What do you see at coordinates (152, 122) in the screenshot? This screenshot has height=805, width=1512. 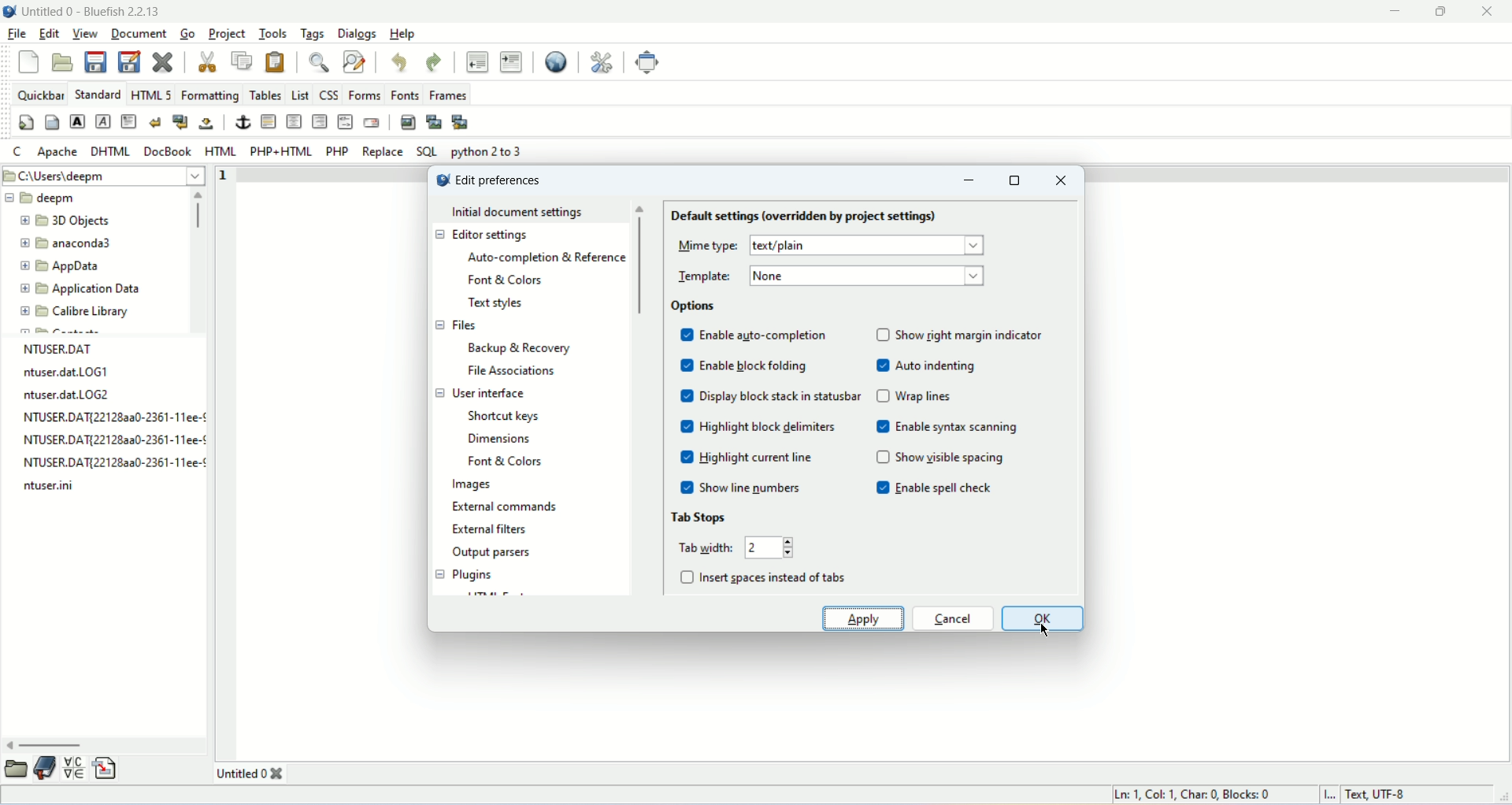 I see `break` at bounding box center [152, 122].